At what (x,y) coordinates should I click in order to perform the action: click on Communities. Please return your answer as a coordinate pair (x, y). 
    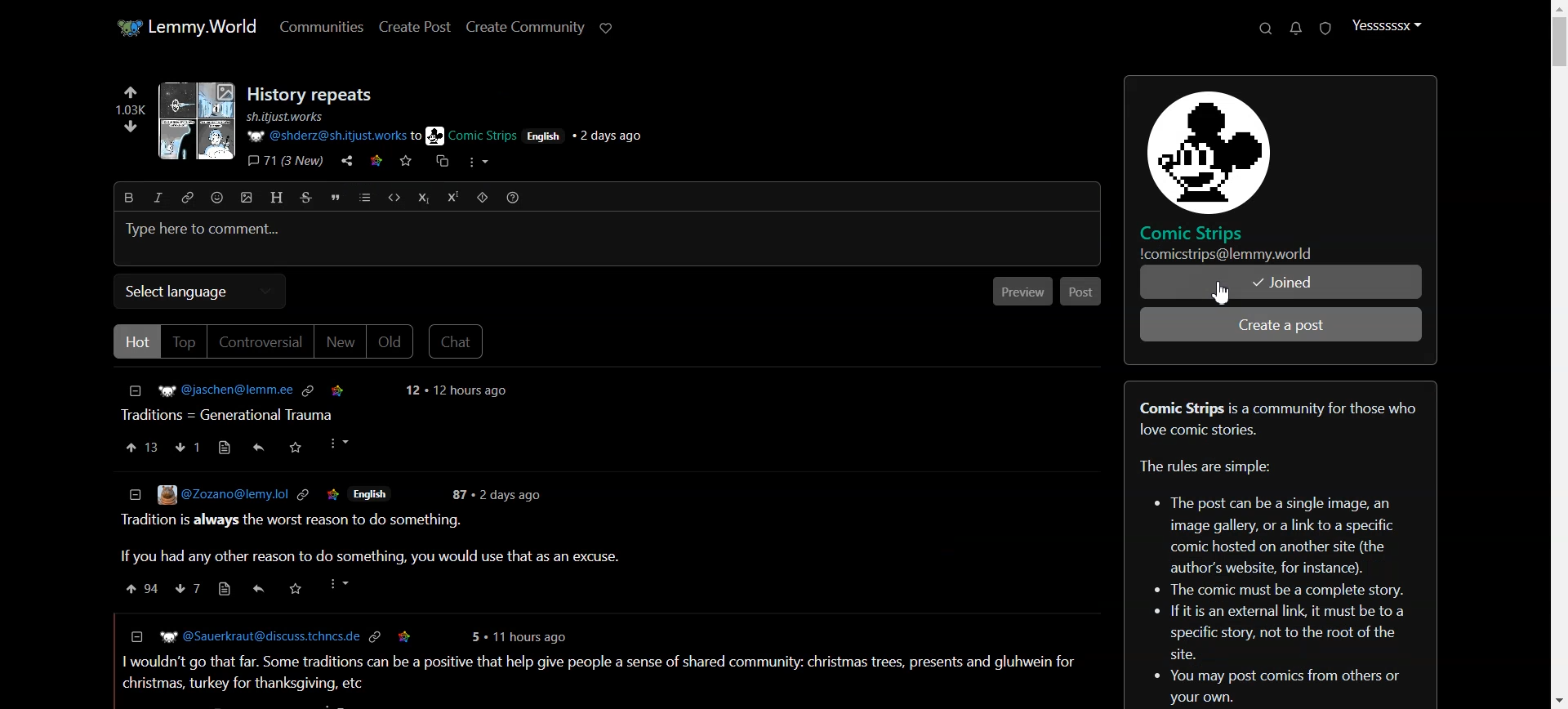
    Looking at the image, I should click on (321, 26).